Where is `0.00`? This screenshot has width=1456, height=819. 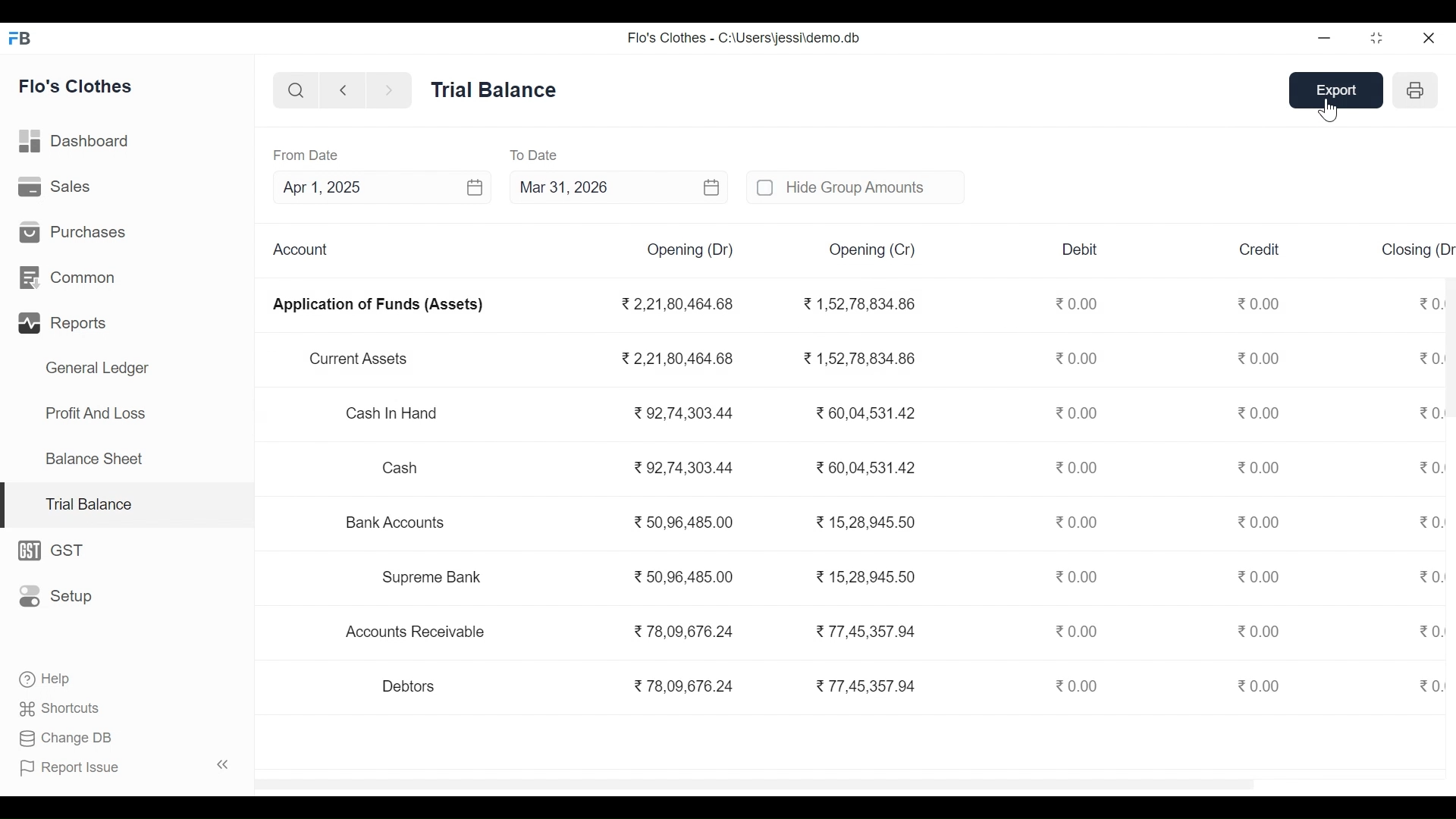
0.00 is located at coordinates (1078, 467).